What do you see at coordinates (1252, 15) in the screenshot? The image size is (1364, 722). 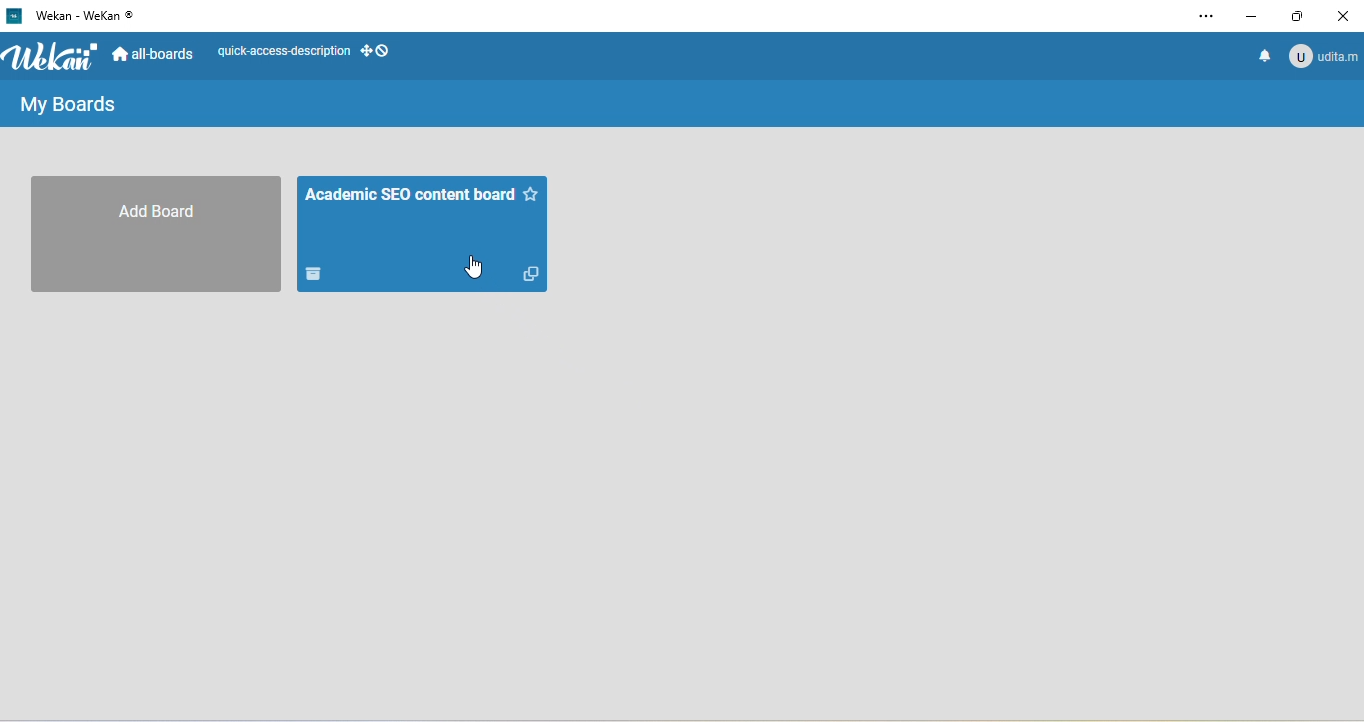 I see `minimize` at bounding box center [1252, 15].